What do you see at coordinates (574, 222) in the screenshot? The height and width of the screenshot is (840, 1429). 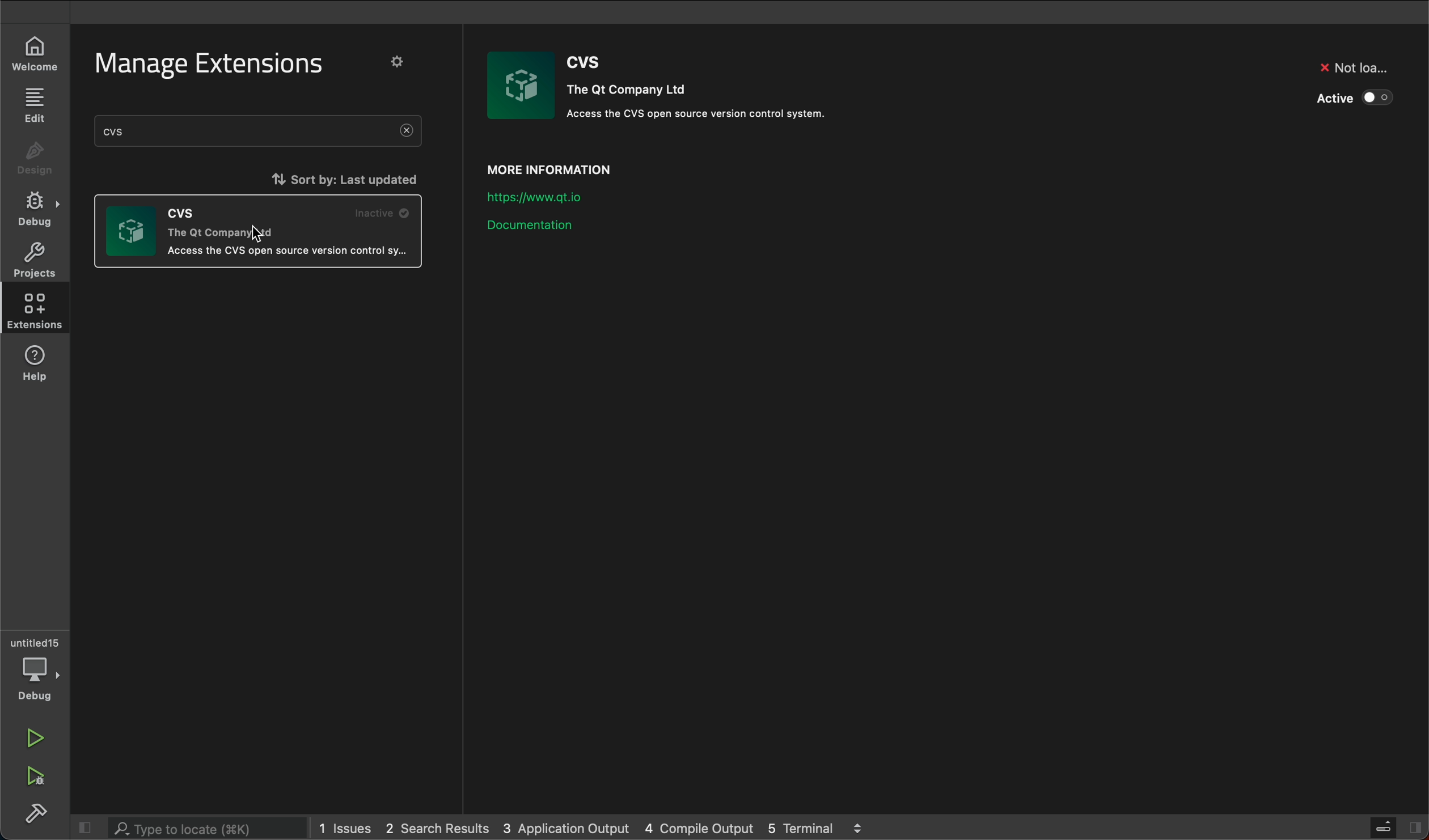 I see `Documentation ` at bounding box center [574, 222].